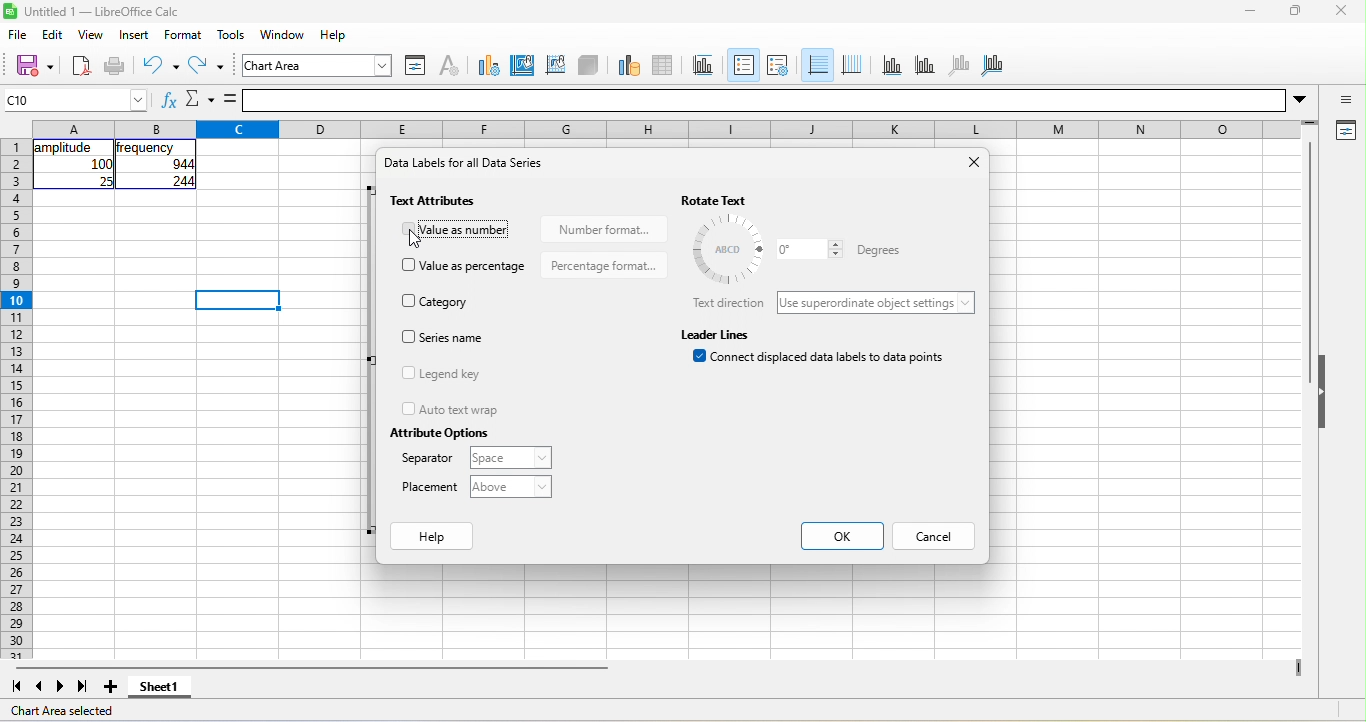  Describe the element at coordinates (736, 200) in the screenshot. I see `rotate text` at that location.